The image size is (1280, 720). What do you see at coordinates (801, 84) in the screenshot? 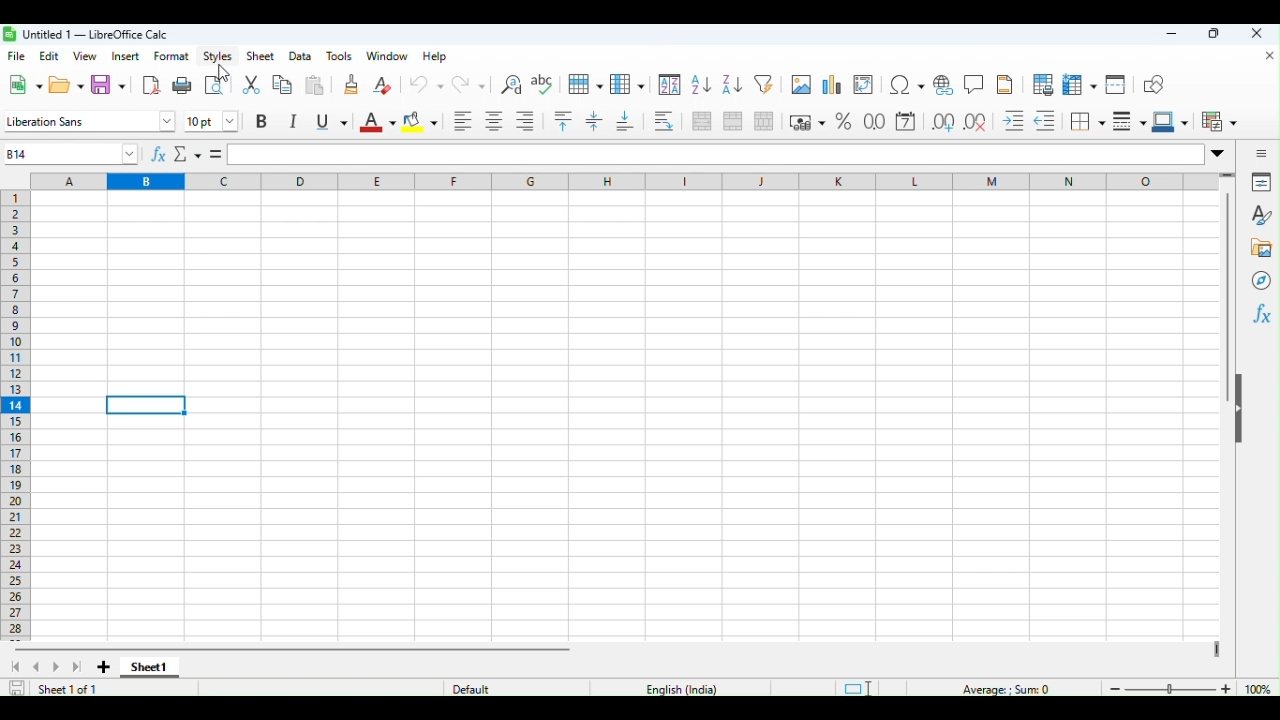
I see `Insert image` at bounding box center [801, 84].